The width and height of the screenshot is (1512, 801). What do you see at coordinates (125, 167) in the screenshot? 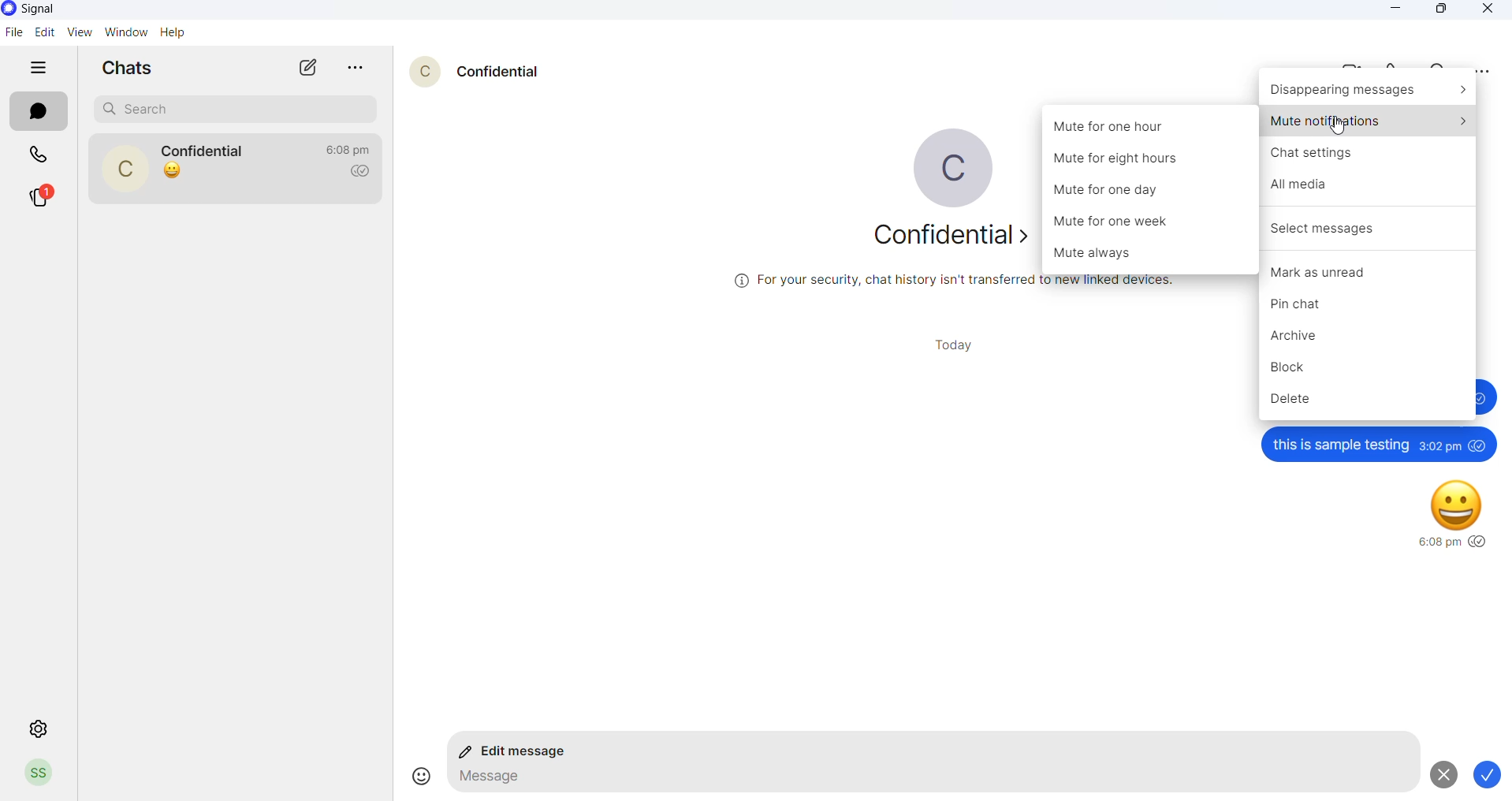
I see `profile picture` at bounding box center [125, 167].